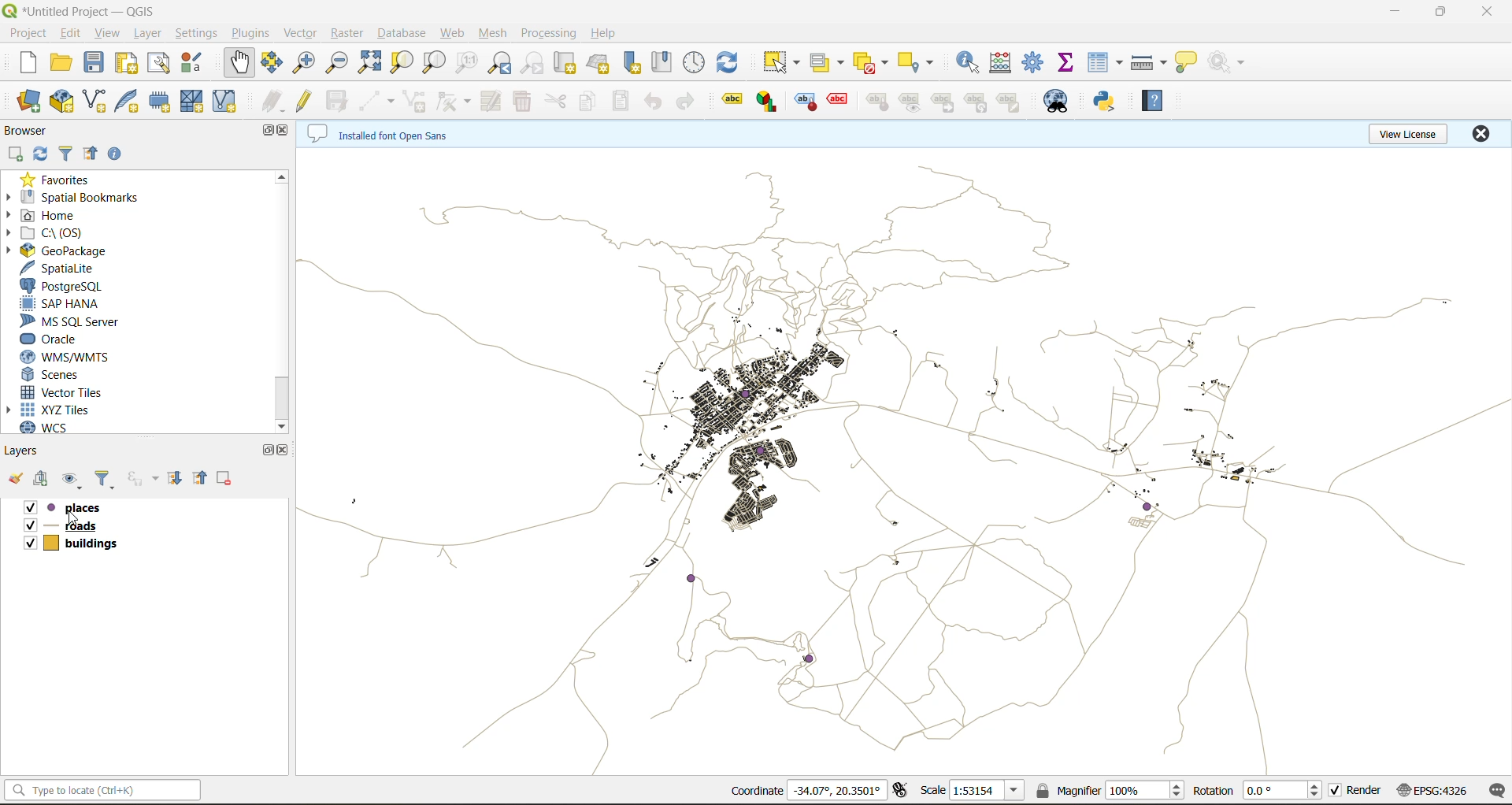 This screenshot has width=1512, height=805. What do you see at coordinates (93, 155) in the screenshot?
I see `collapse all` at bounding box center [93, 155].